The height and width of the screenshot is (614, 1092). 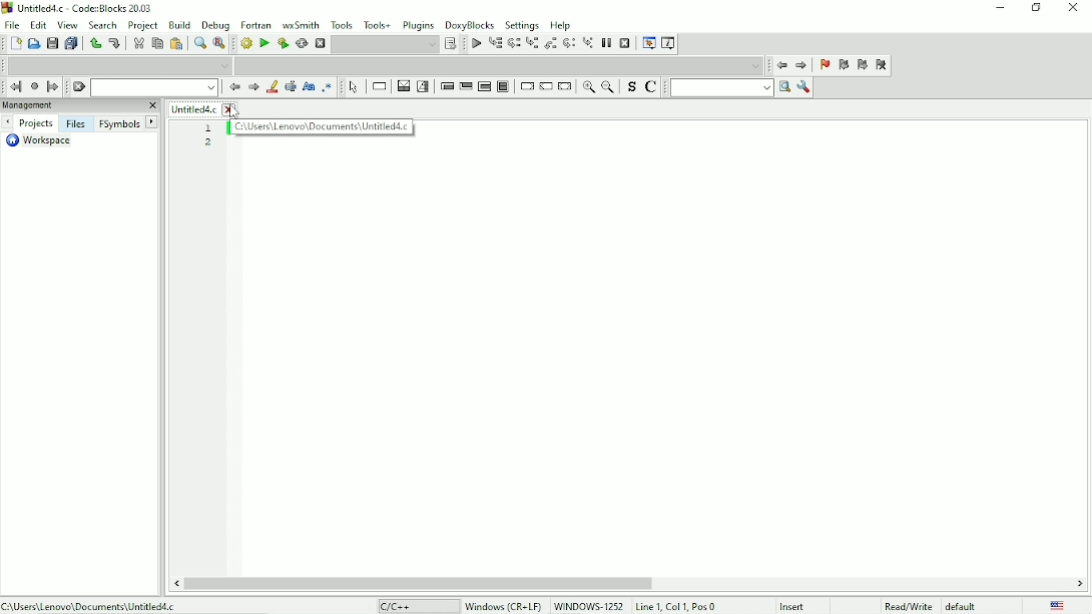 What do you see at coordinates (216, 25) in the screenshot?
I see `Debug` at bounding box center [216, 25].